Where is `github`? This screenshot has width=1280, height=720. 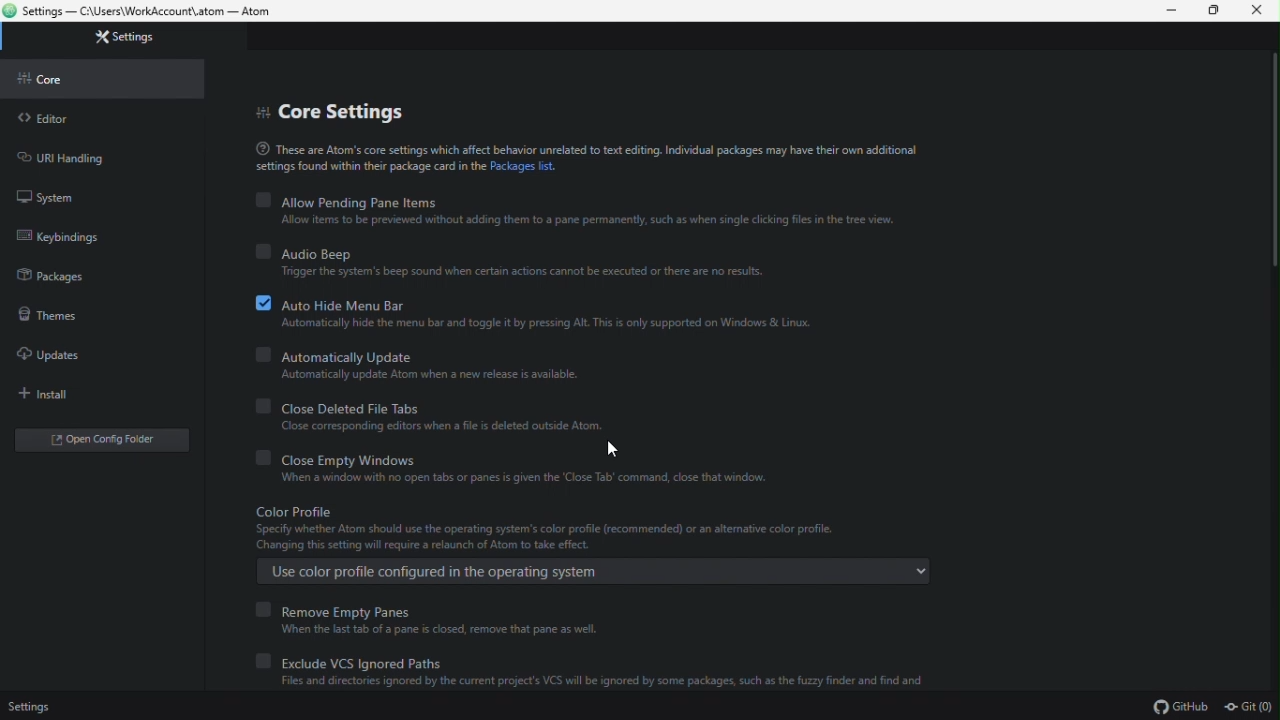 github is located at coordinates (1179, 706).